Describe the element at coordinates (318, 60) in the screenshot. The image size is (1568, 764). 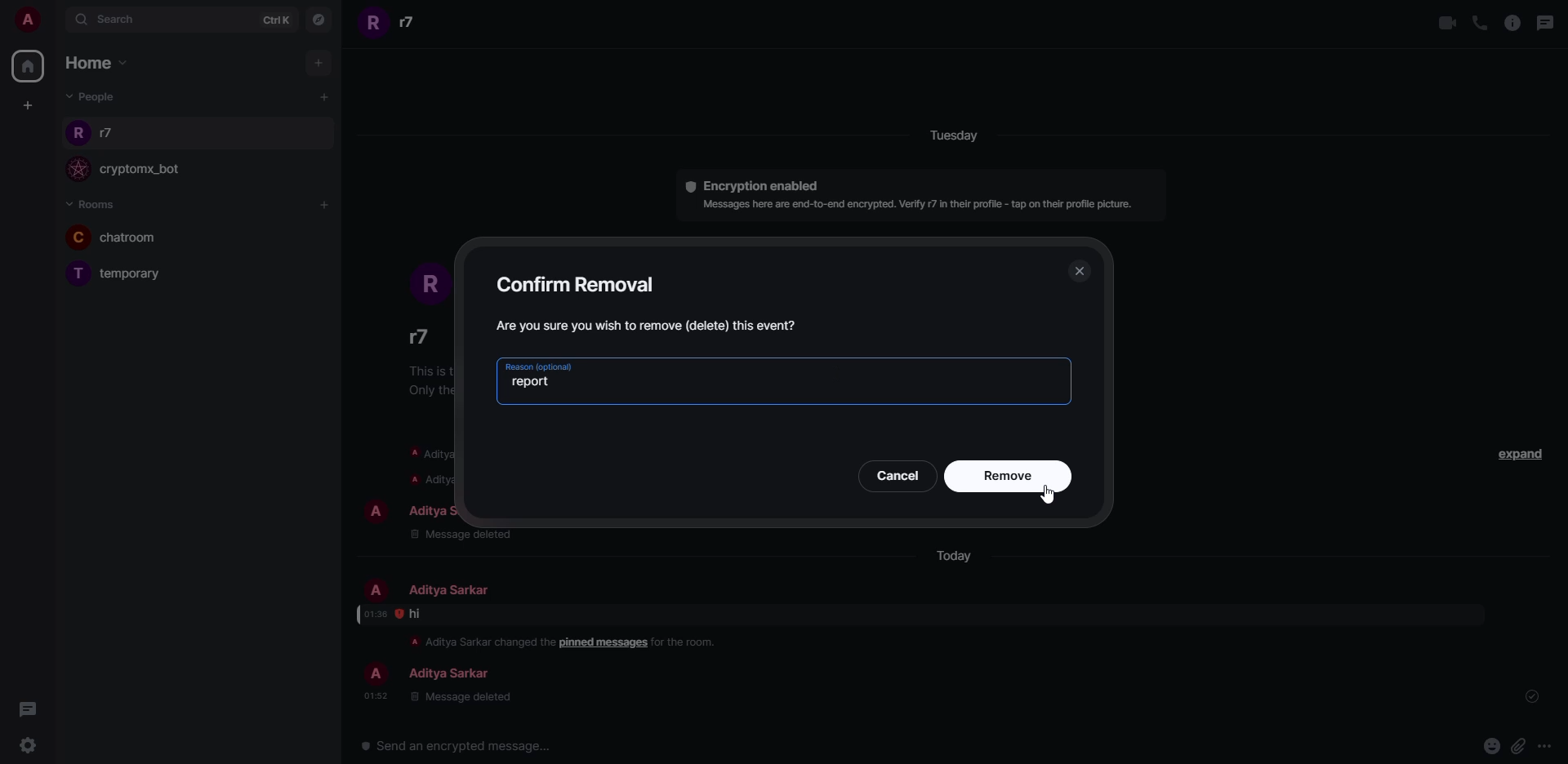
I see `add` at that location.